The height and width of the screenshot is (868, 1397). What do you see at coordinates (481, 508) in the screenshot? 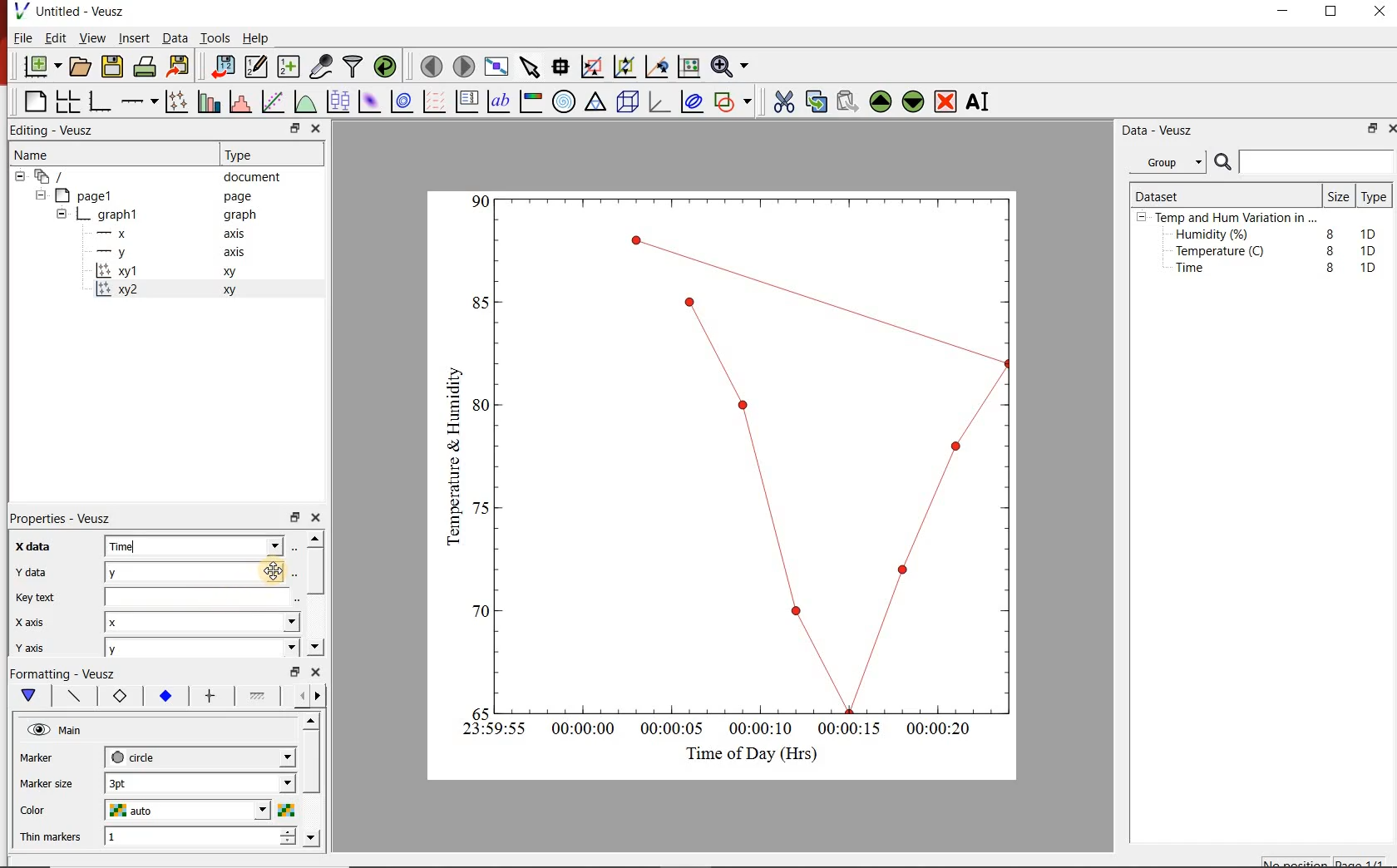
I see `0.4` at bounding box center [481, 508].